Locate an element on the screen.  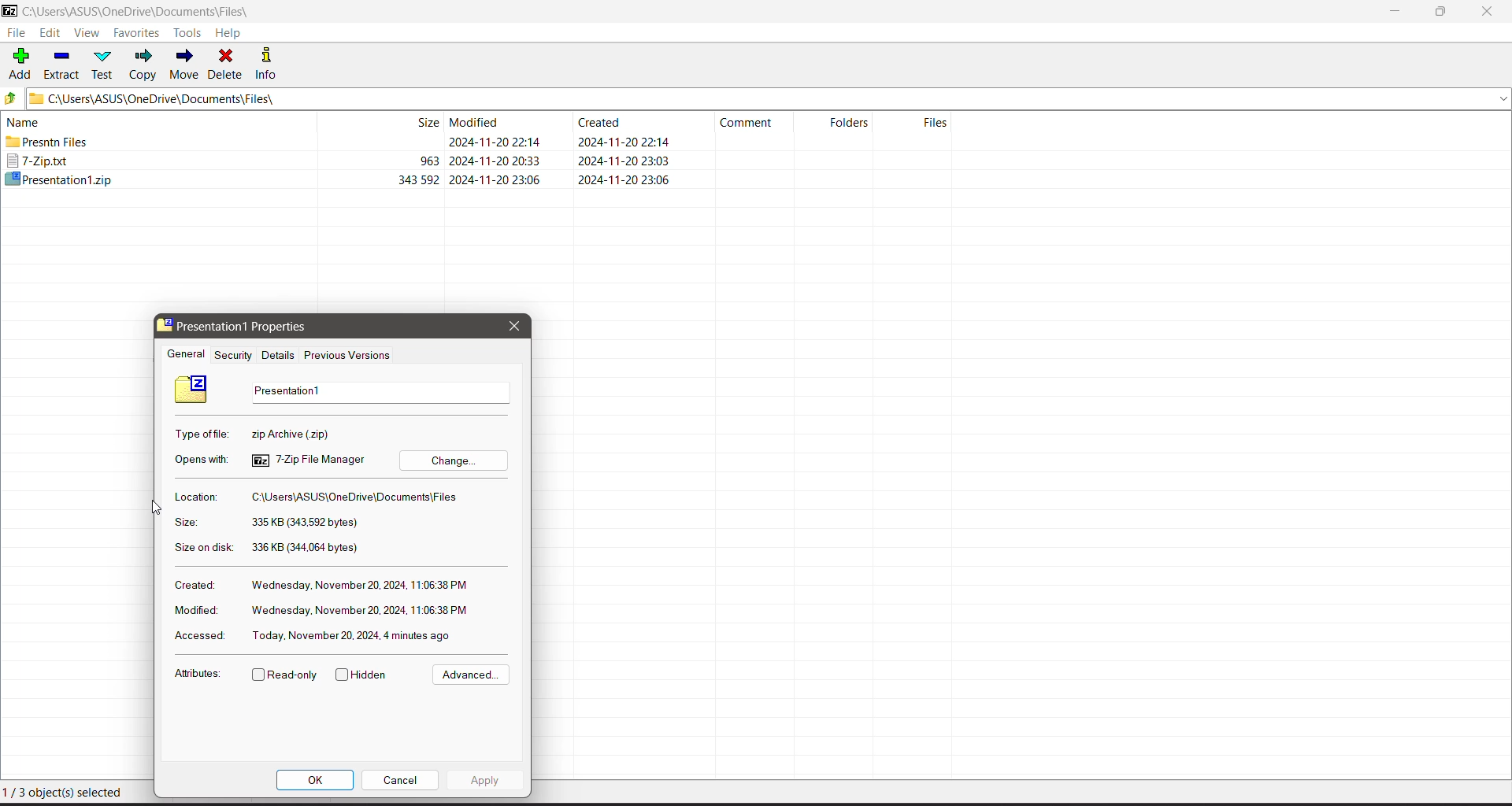
Restore Down is located at coordinates (1442, 12).